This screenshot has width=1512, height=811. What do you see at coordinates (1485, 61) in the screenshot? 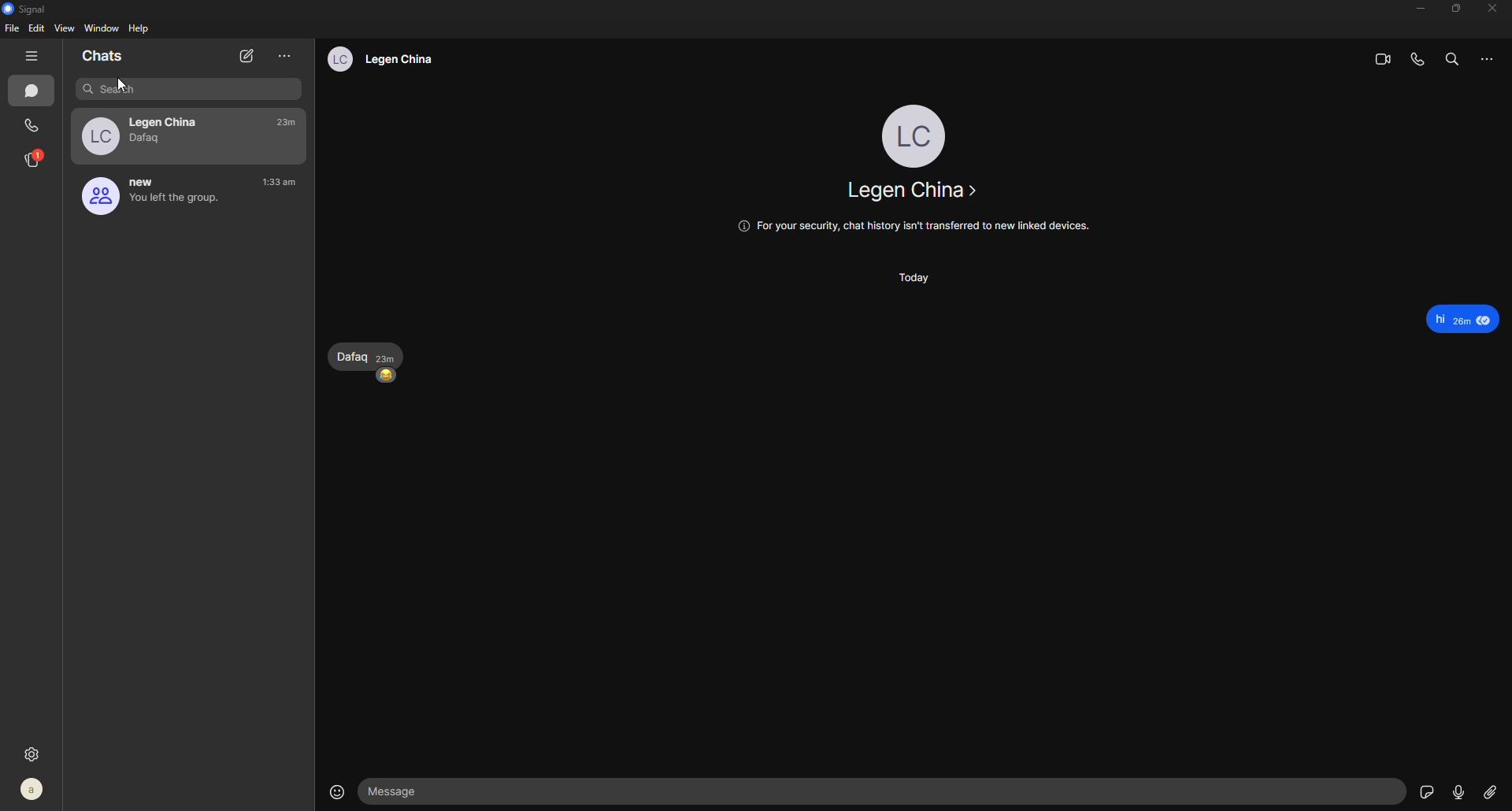
I see `more` at bounding box center [1485, 61].